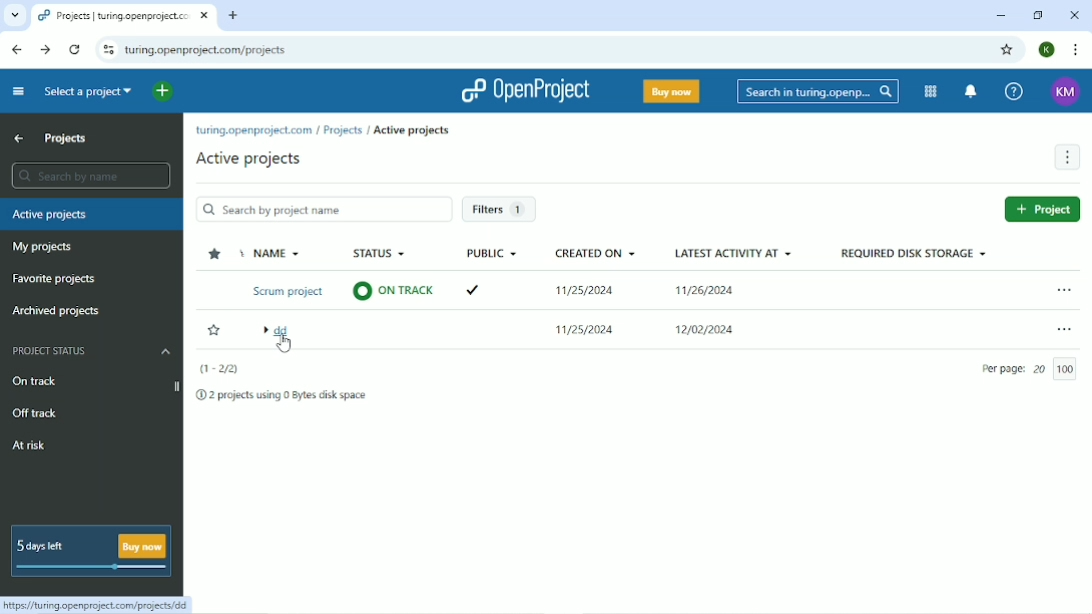 This screenshot has width=1092, height=614. Describe the element at coordinates (1007, 49) in the screenshot. I see `Bookmark this tab` at that location.